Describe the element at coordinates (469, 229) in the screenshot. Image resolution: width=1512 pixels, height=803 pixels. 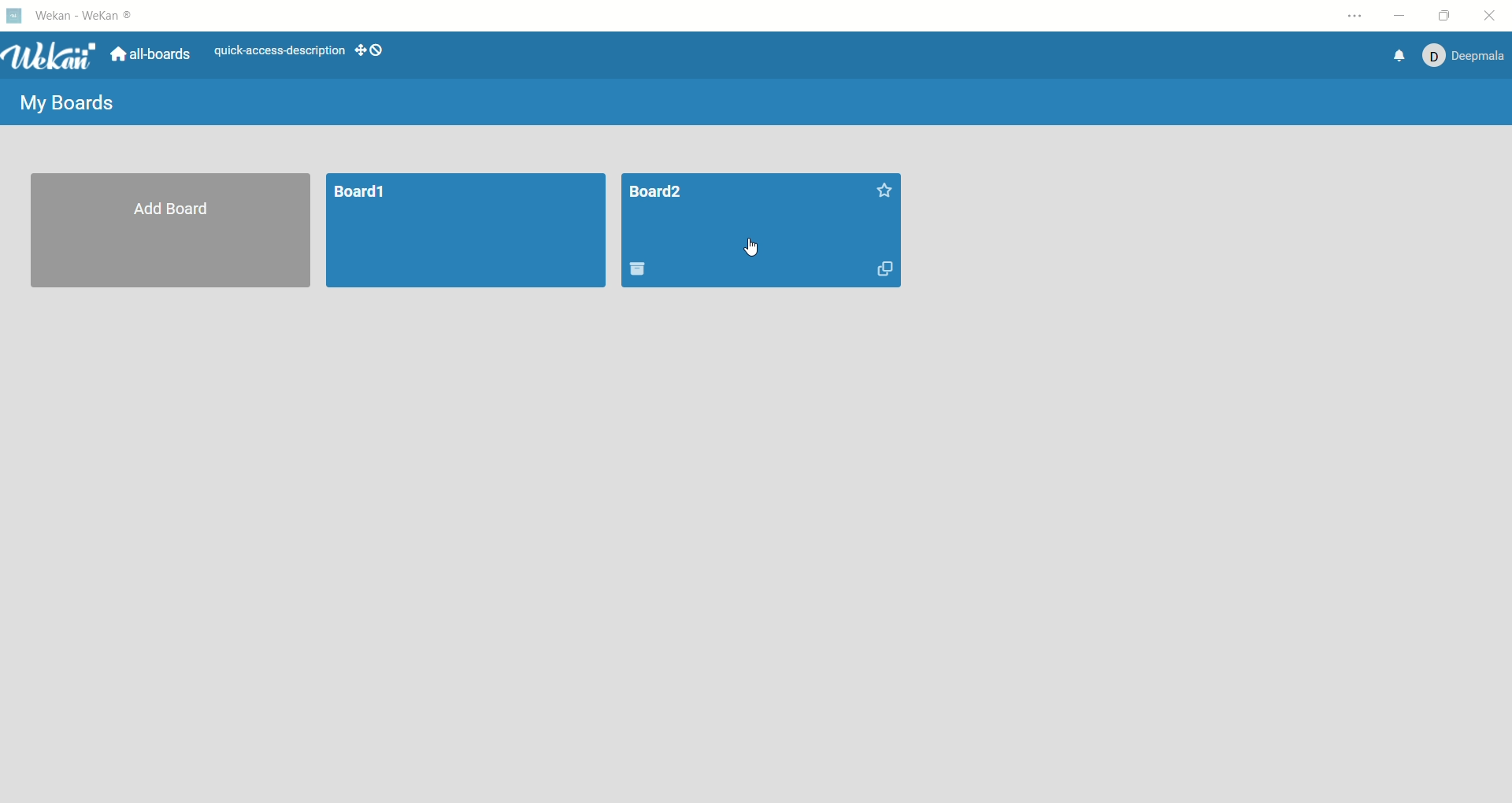
I see `board1` at that location.